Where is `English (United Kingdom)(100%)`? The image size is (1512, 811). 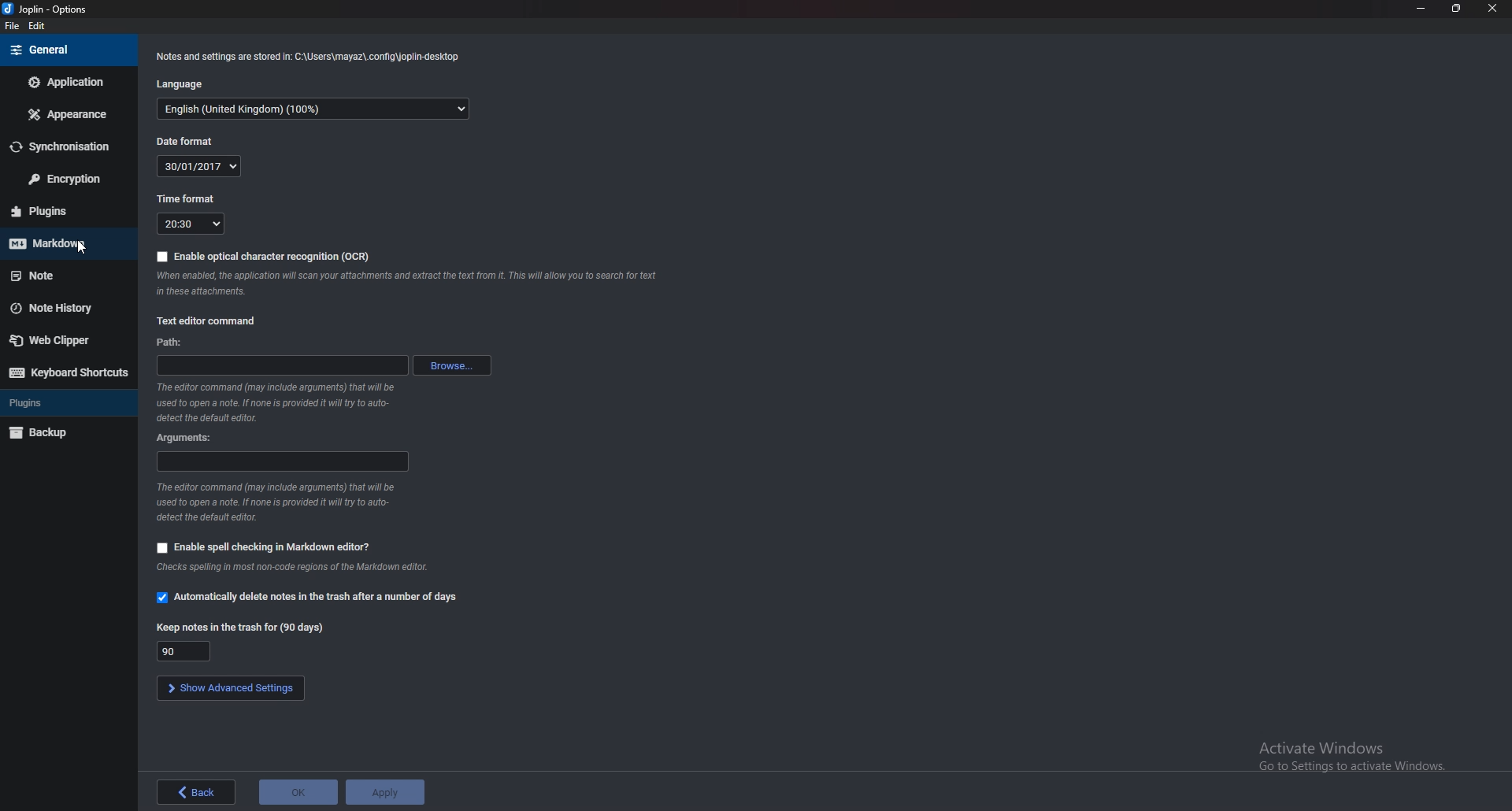
English (United Kingdom)(100%) is located at coordinates (313, 109).